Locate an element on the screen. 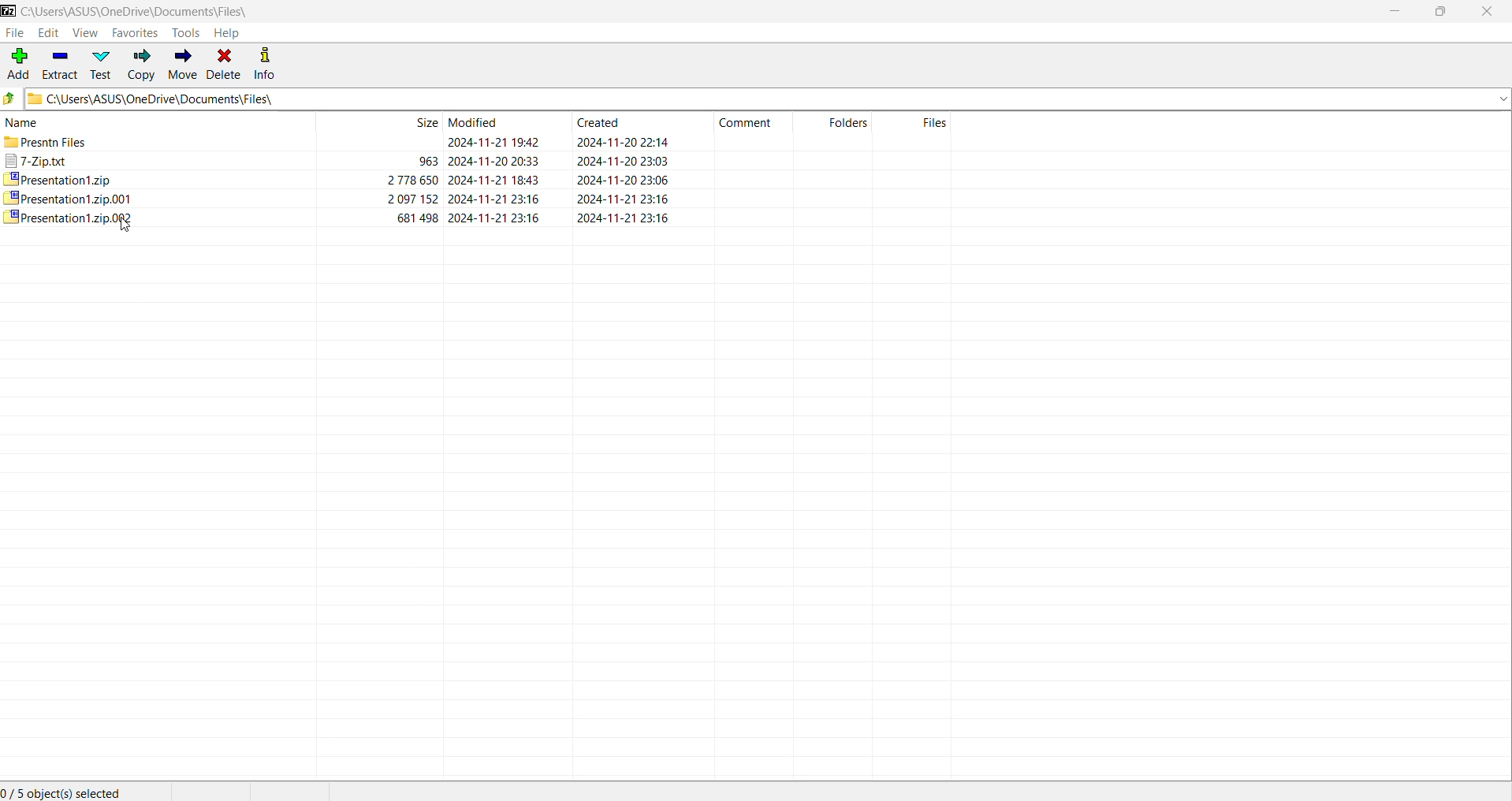 The height and width of the screenshot is (801, 1512). 0/ 5 obiect(s) selected is located at coordinates (67, 789).